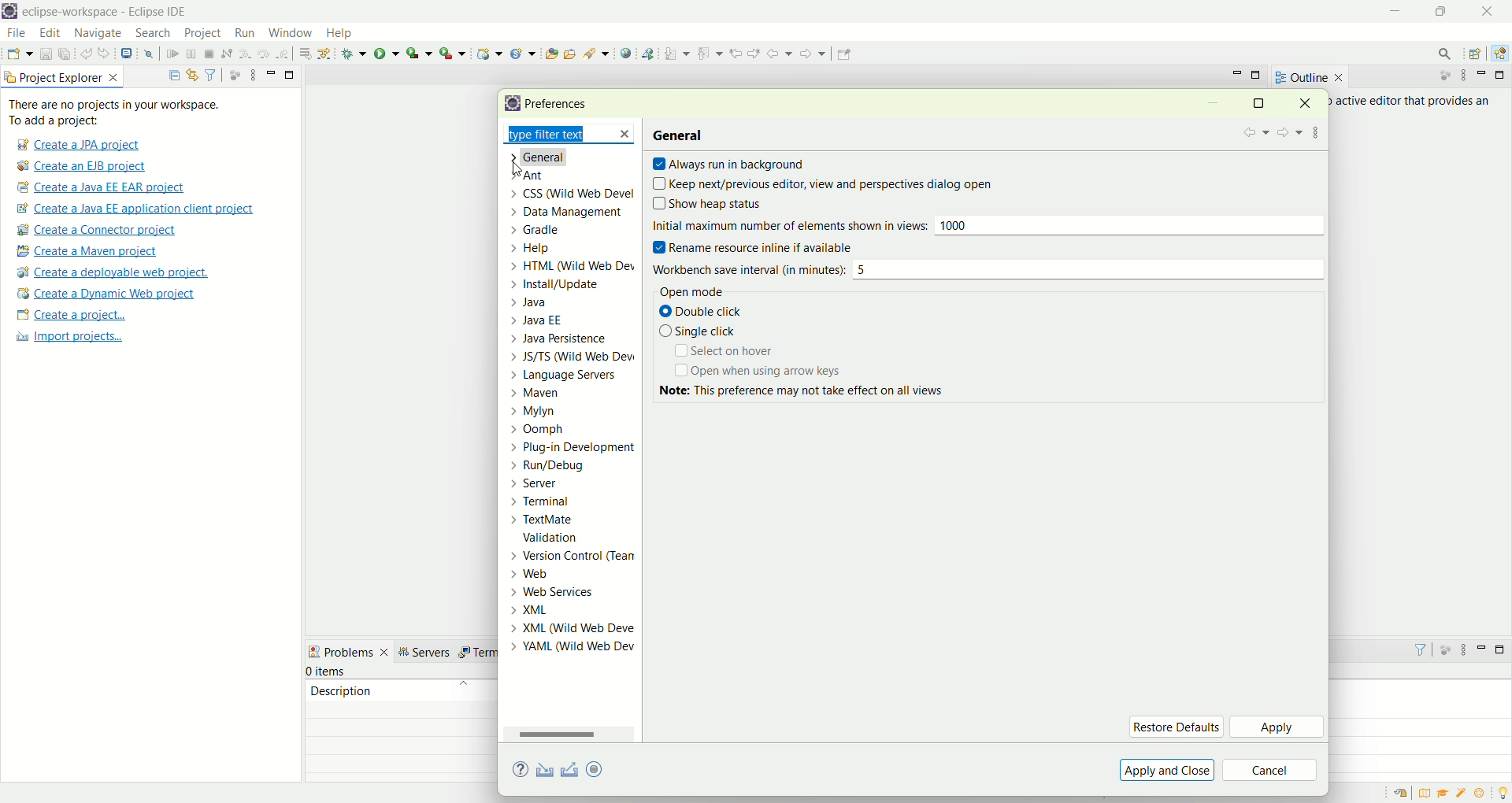 The width and height of the screenshot is (1512, 803). Describe the element at coordinates (233, 74) in the screenshot. I see `focus on active task` at that location.